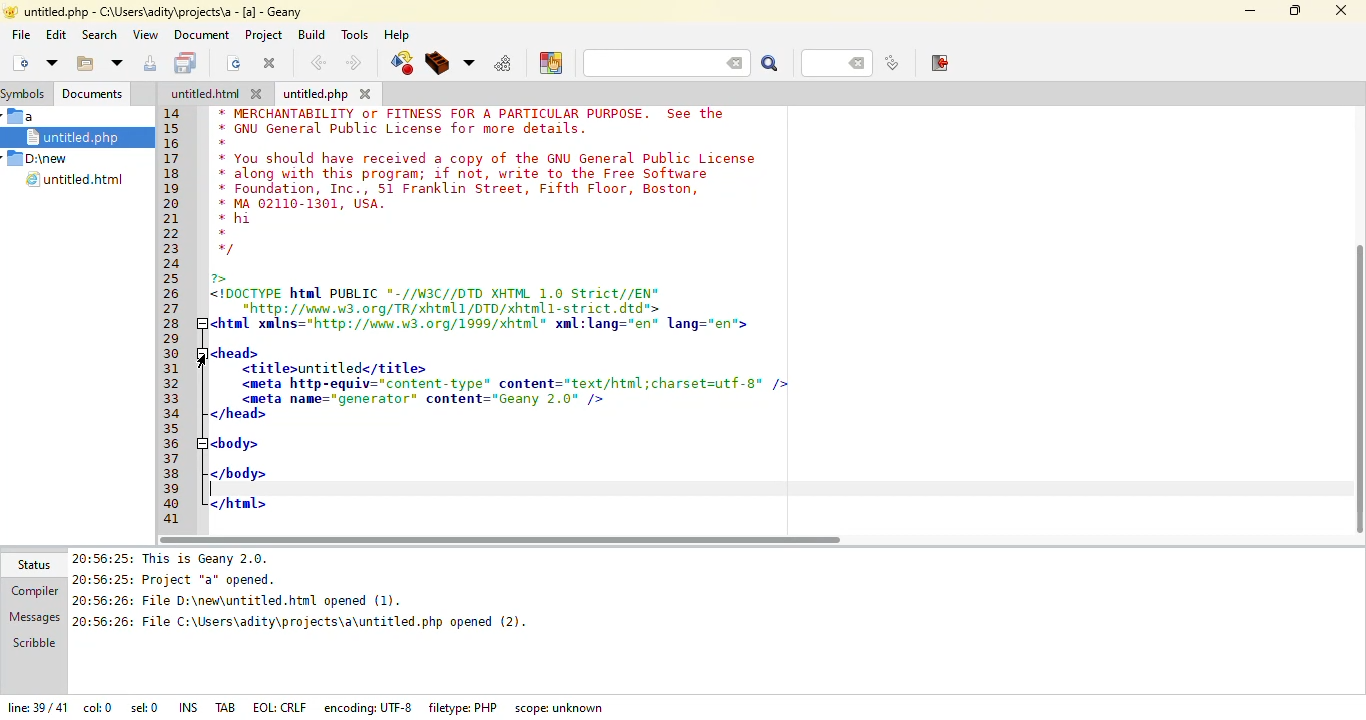 This screenshot has height=720, width=1366. What do you see at coordinates (734, 63) in the screenshot?
I see `back space` at bounding box center [734, 63].